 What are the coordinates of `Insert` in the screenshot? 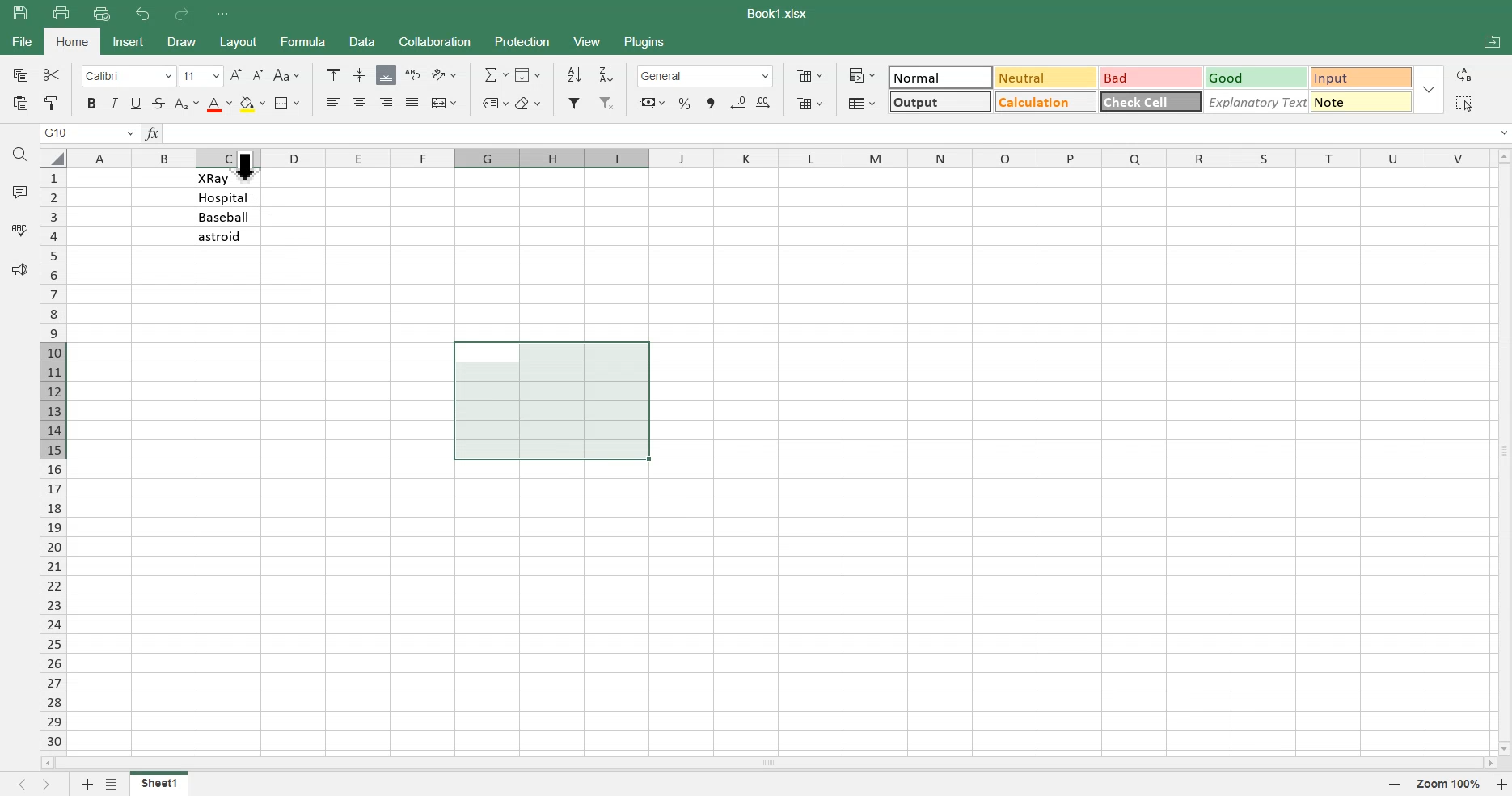 It's located at (129, 41).